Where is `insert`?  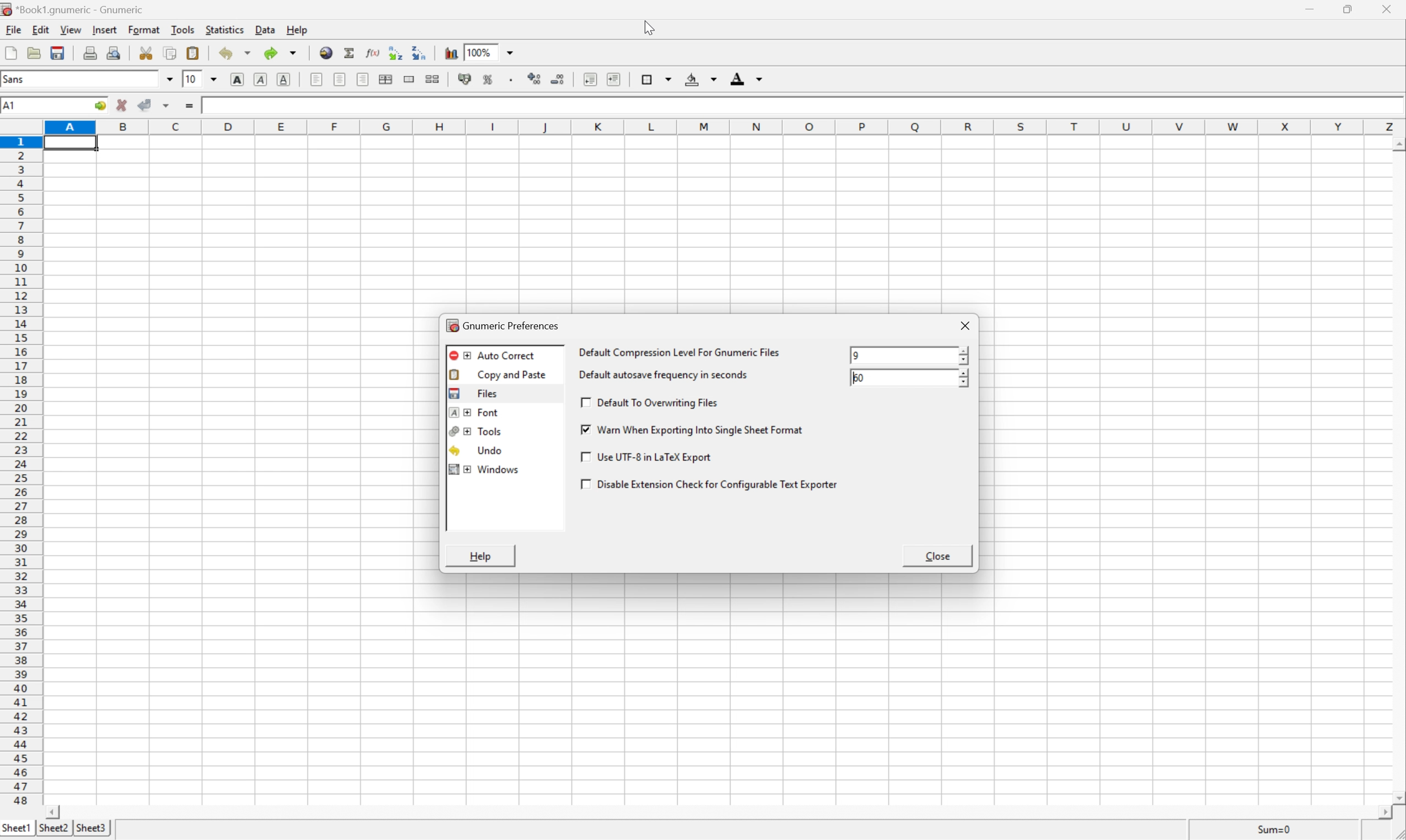 insert is located at coordinates (105, 31).